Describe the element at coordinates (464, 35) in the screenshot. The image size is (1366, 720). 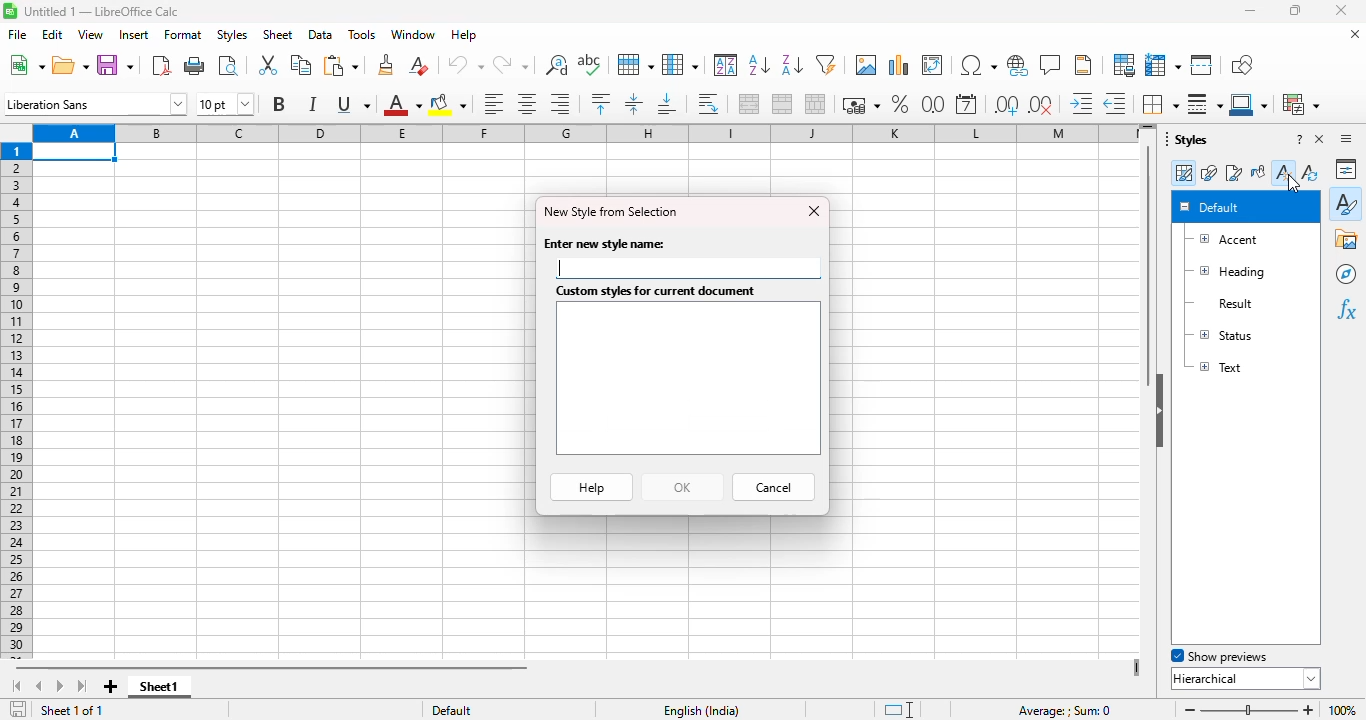
I see `help` at that location.